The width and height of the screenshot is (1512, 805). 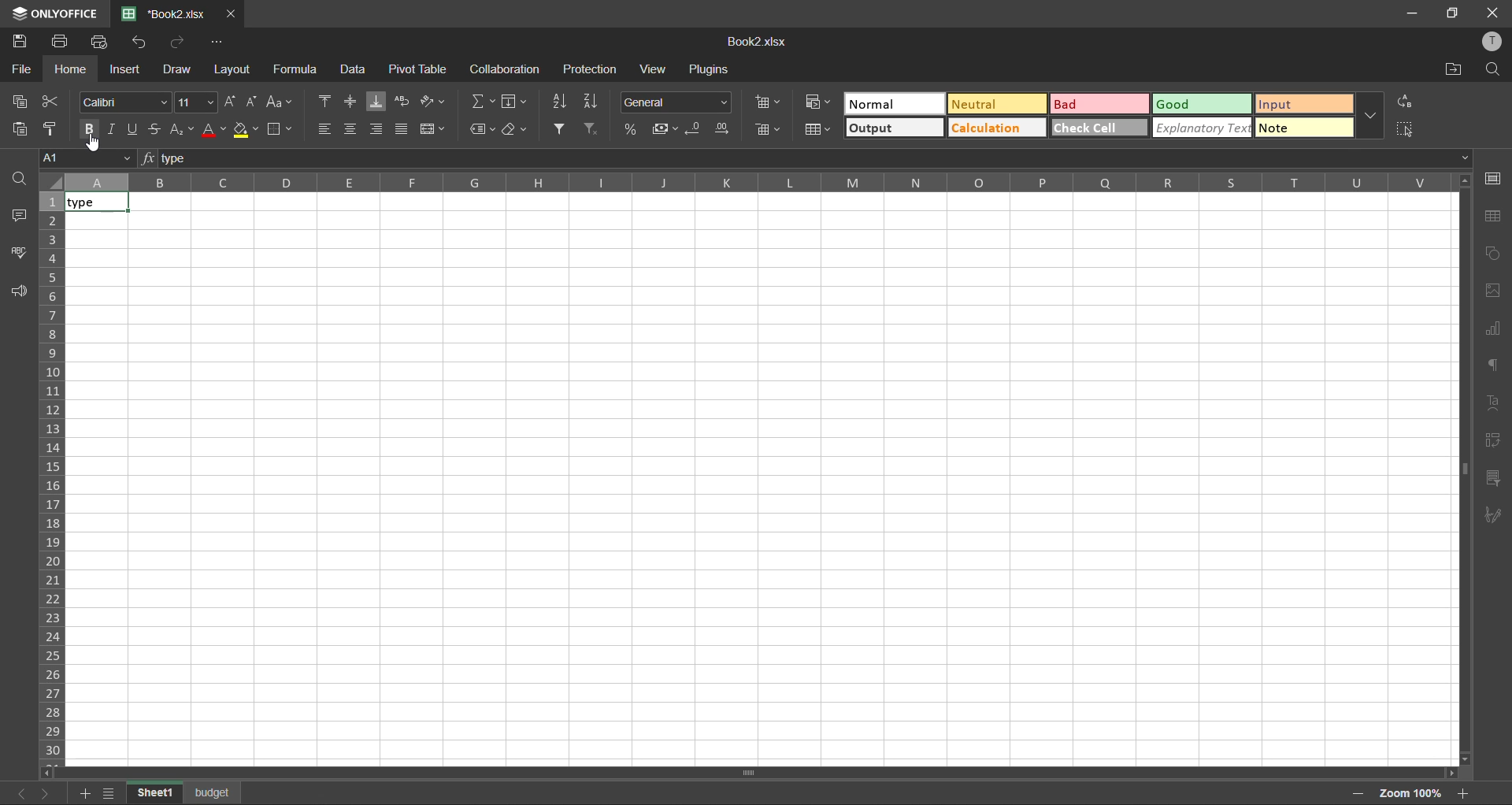 What do you see at coordinates (166, 14) in the screenshot?
I see `Book2.xlsx` at bounding box center [166, 14].